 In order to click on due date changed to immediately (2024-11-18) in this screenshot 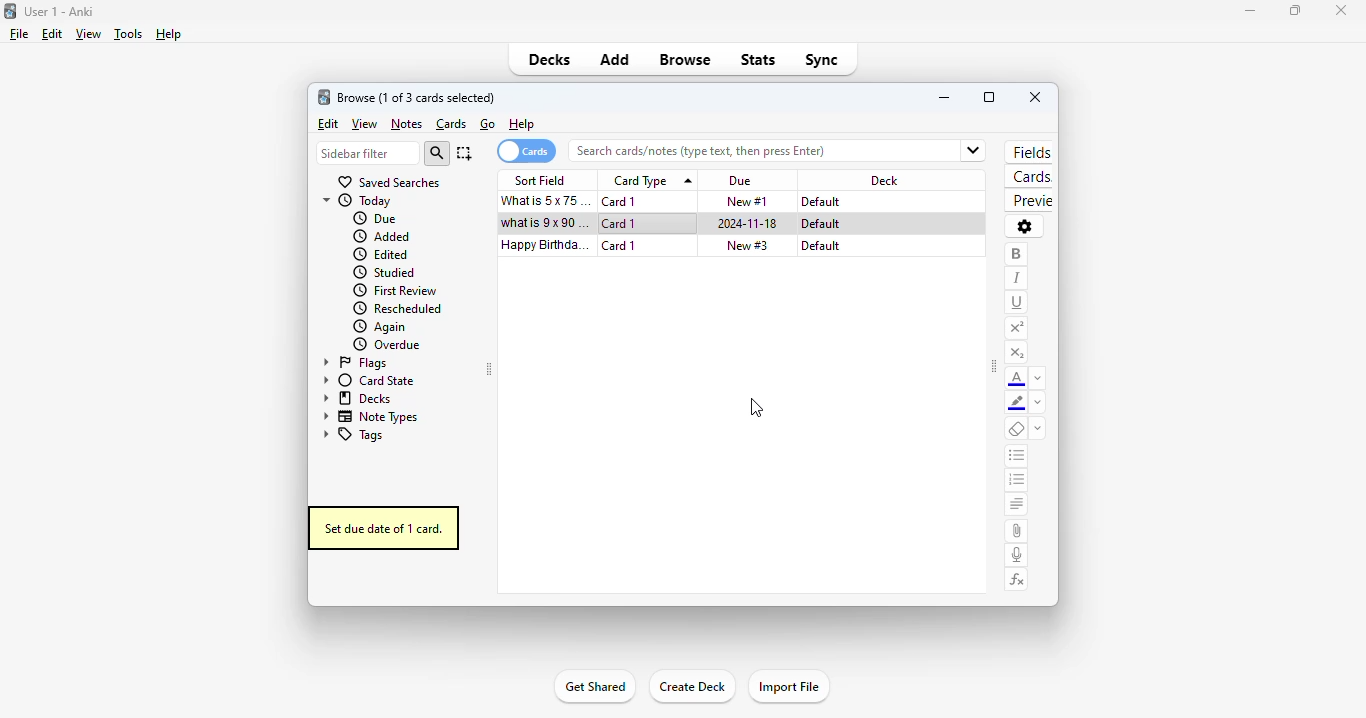, I will do `click(750, 223)`.